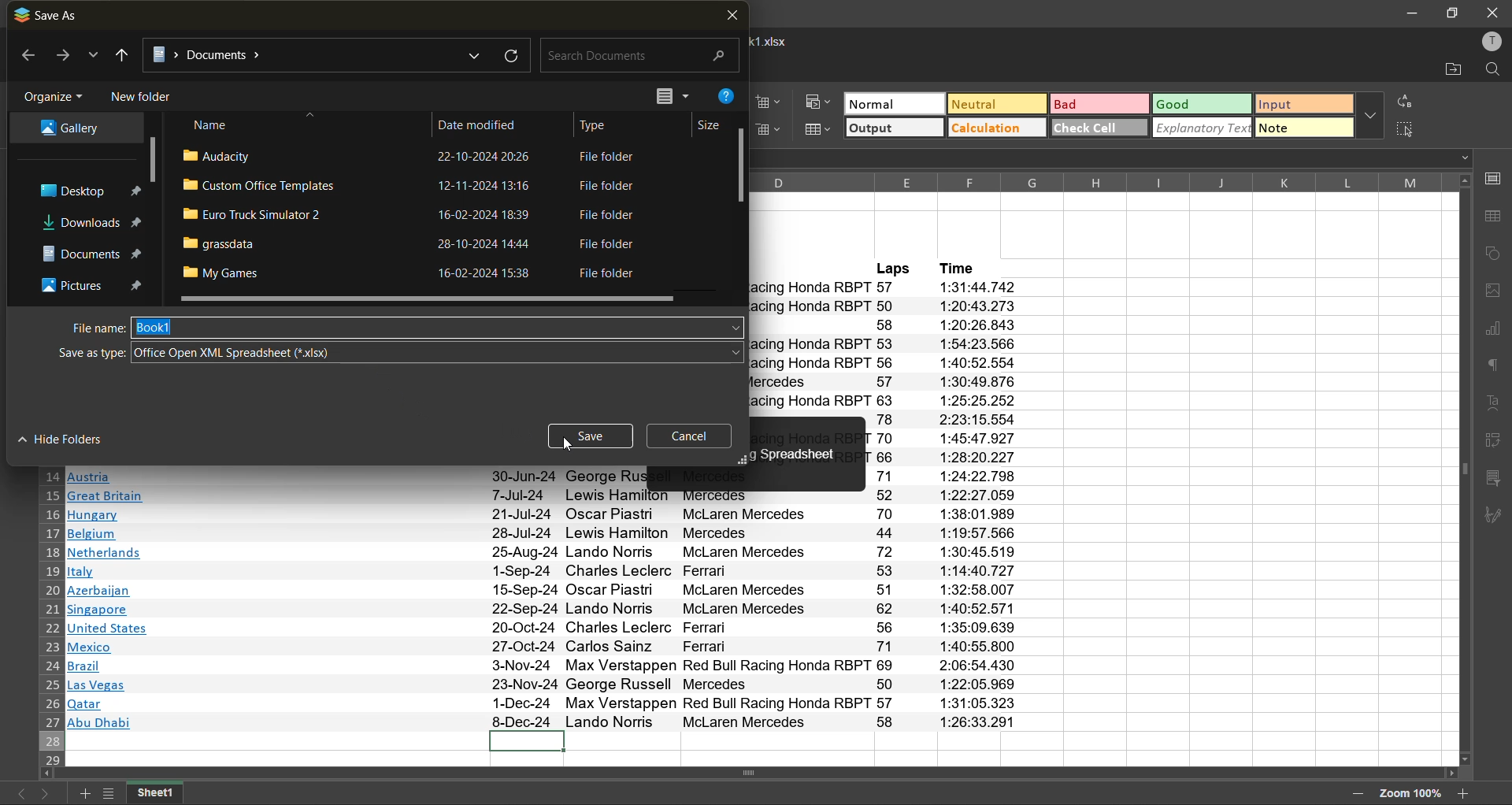  Describe the element at coordinates (264, 214) in the screenshot. I see `MM Euro Truck Simulator 2` at that location.